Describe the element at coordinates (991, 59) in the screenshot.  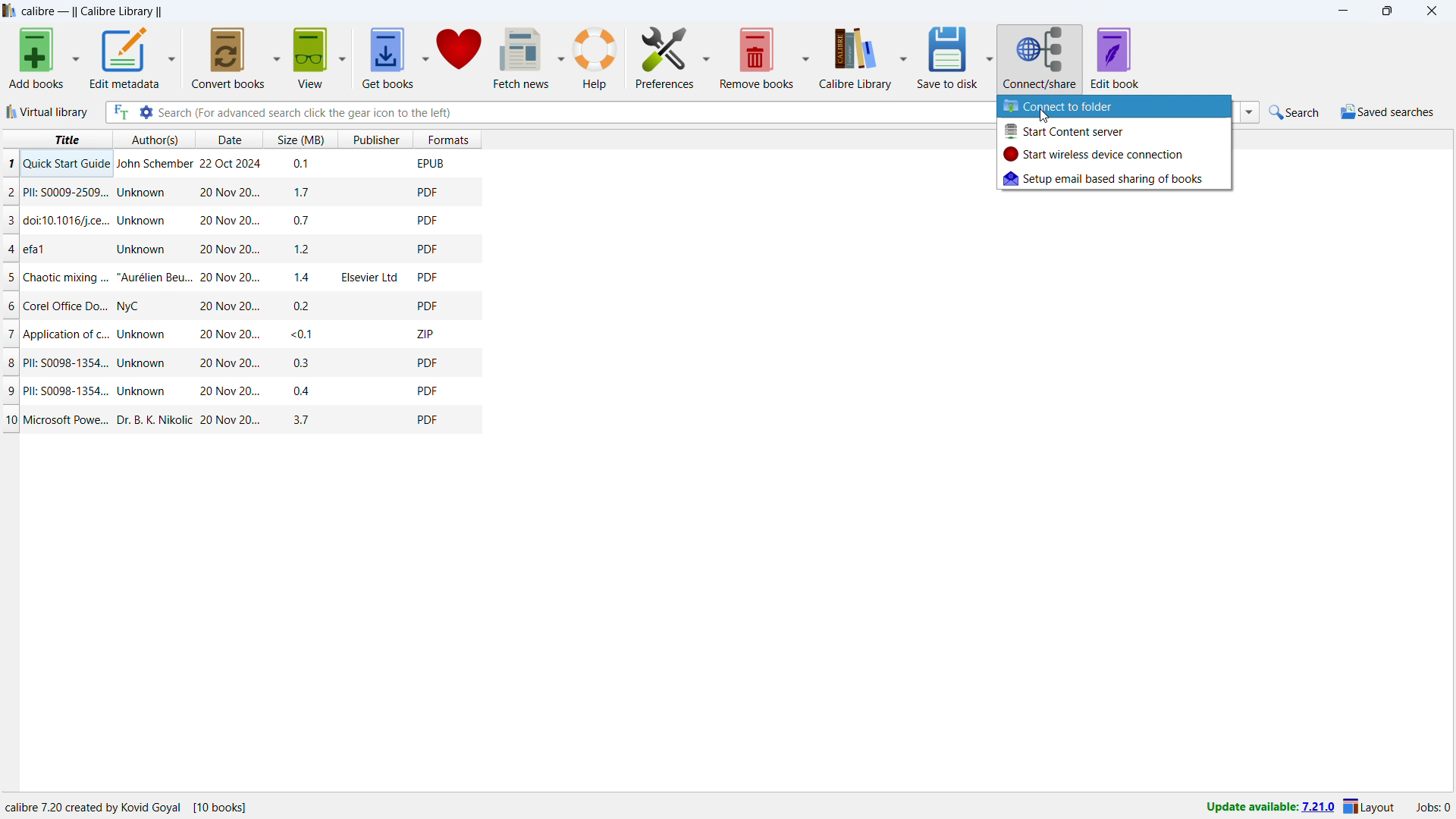
I see `save to disk options` at that location.